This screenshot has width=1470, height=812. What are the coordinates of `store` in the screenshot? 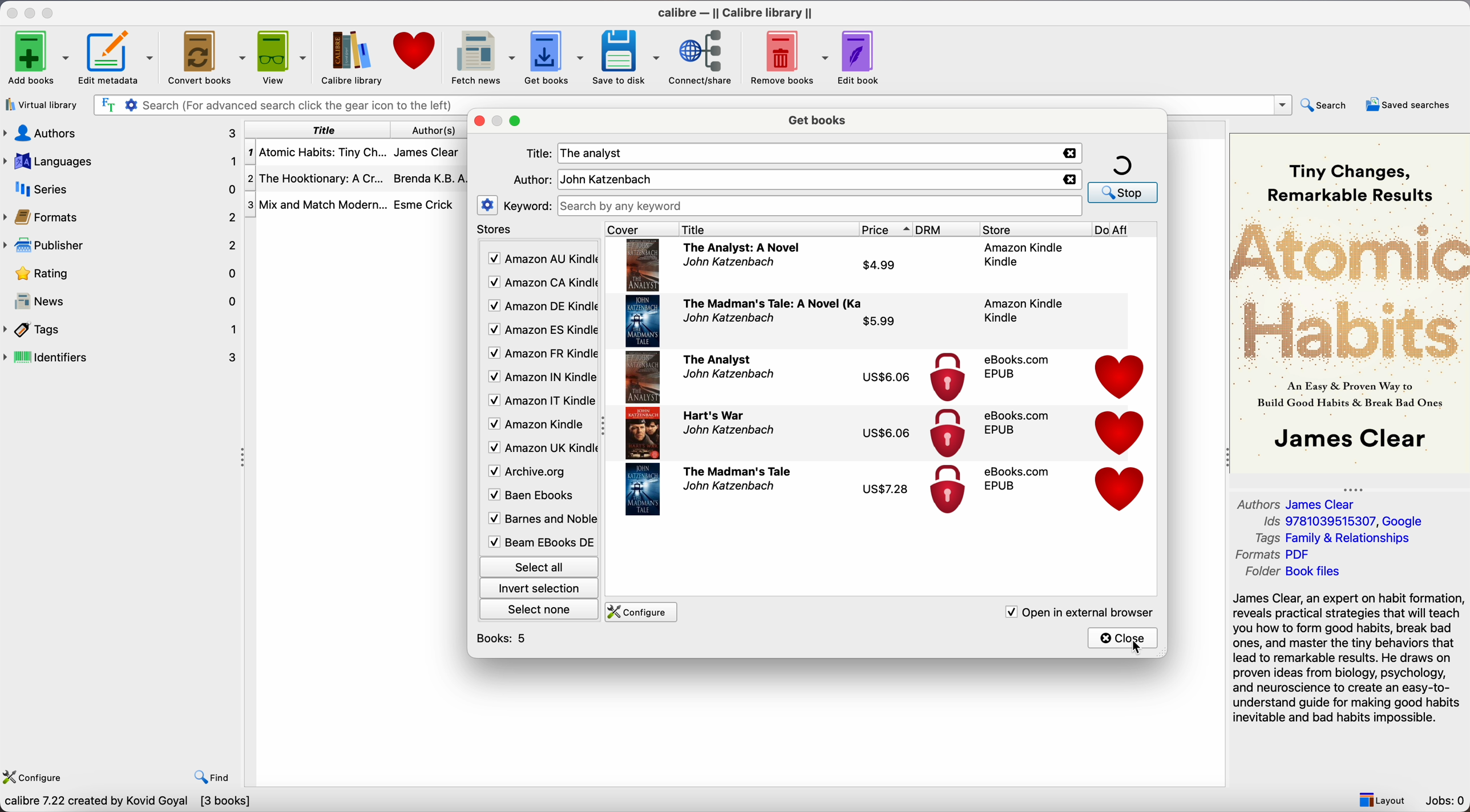 It's located at (1035, 229).